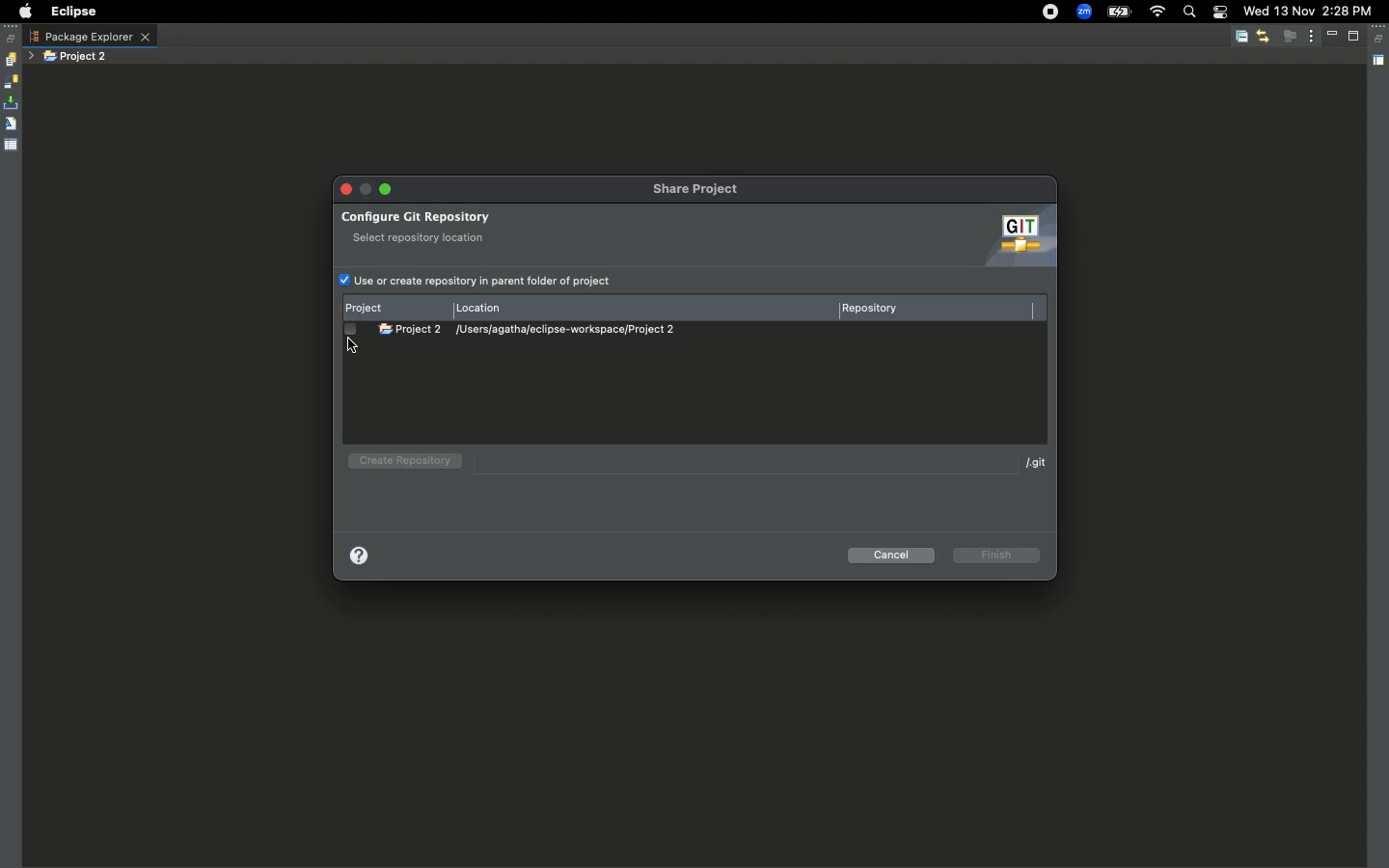  I want to click on Help, so click(363, 556).